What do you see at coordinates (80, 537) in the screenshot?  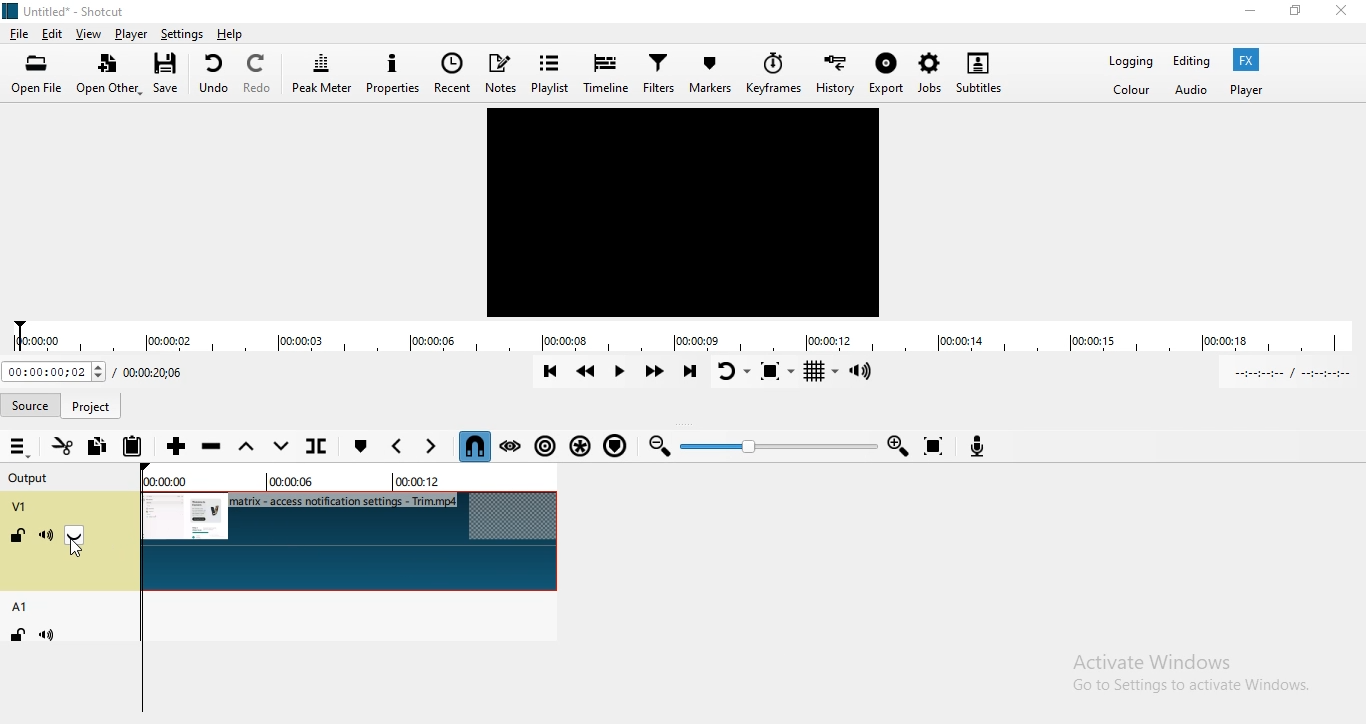 I see `Hide` at bounding box center [80, 537].